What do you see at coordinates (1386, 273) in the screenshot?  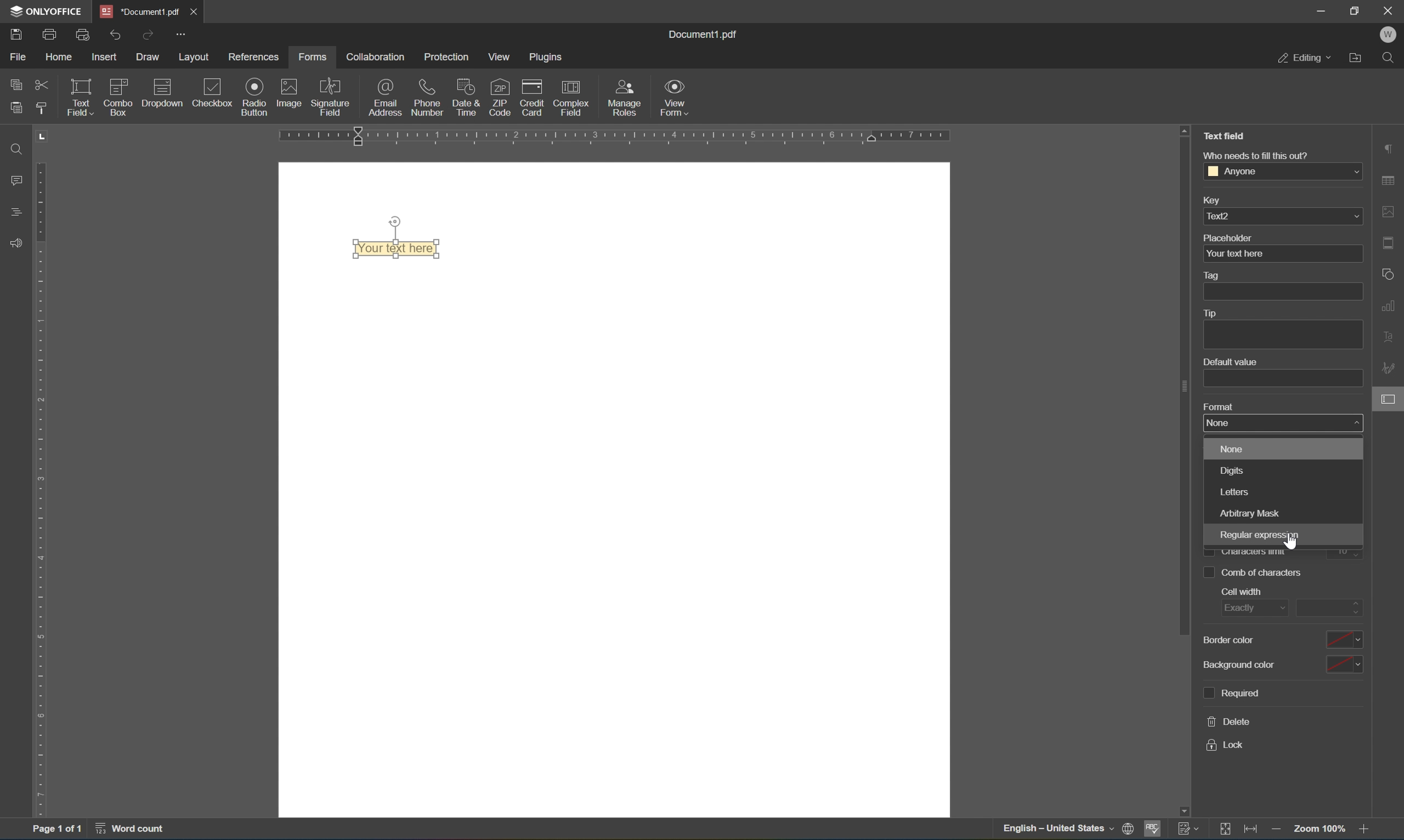 I see `shape settings` at bounding box center [1386, 273].